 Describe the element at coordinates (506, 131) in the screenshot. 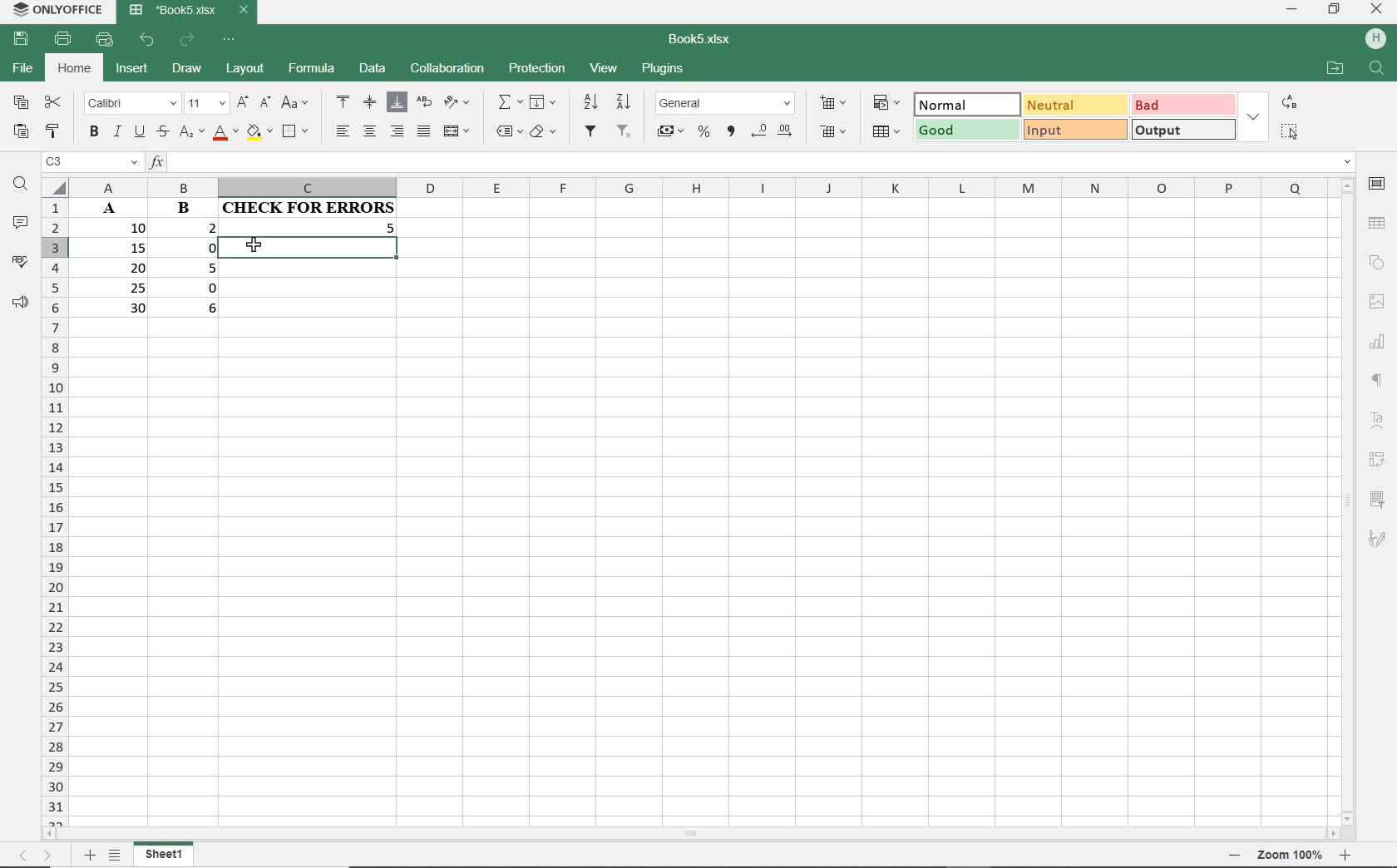

I see `NAMED RANGES` at that location.